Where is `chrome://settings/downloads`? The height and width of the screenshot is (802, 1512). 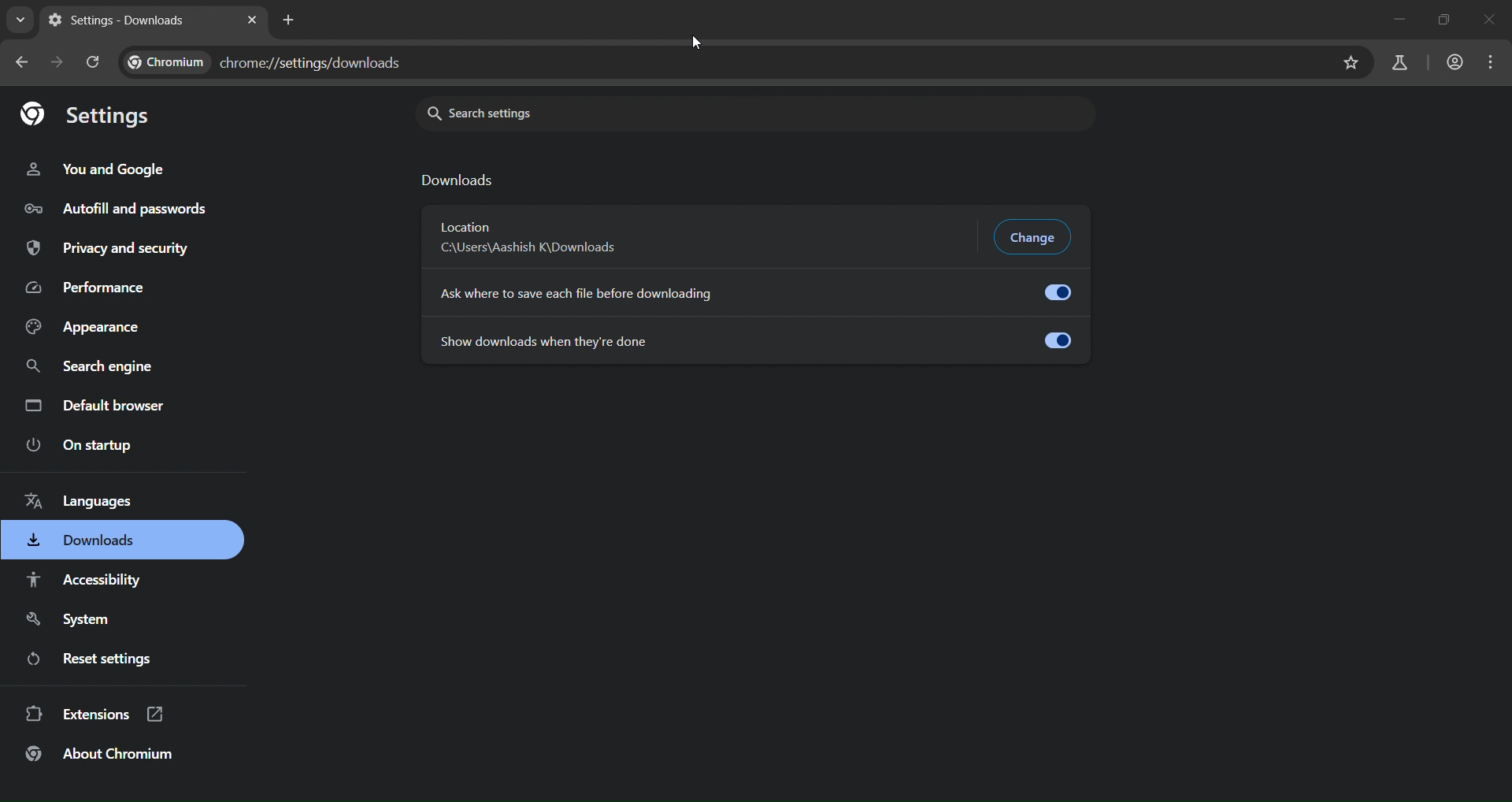 chrome://settings/downloads is located at coordinates (268, 62).